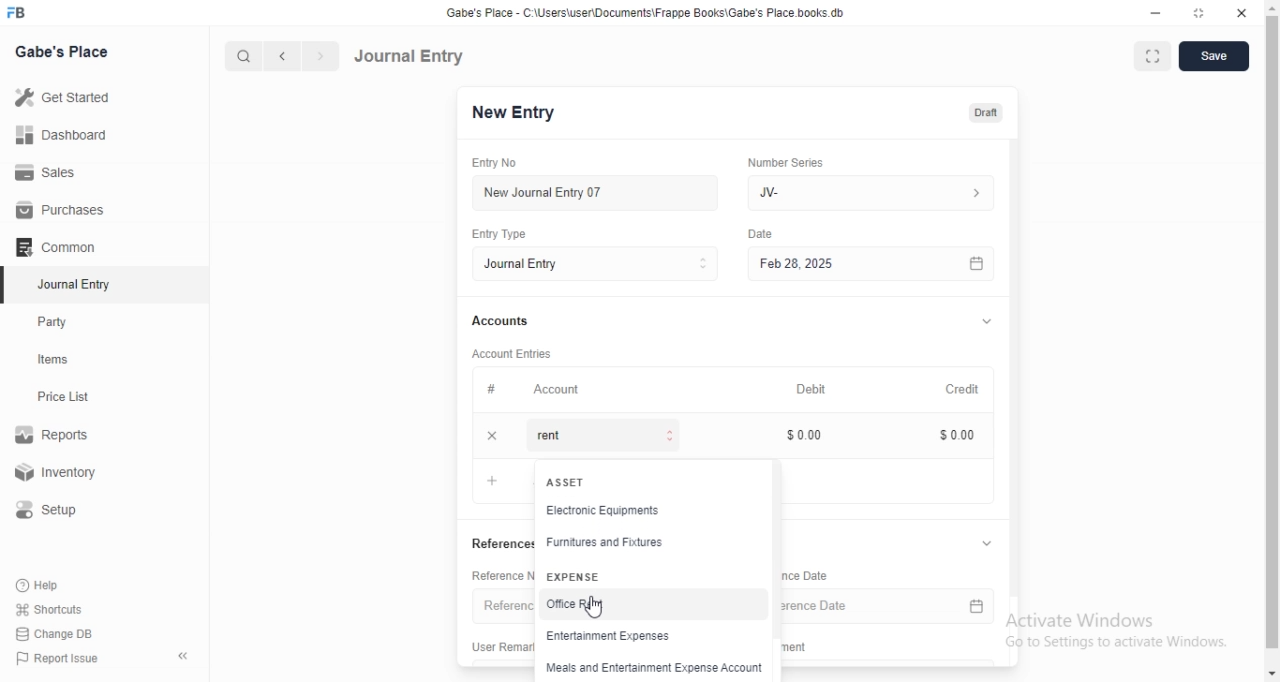 The height and width of the screenshot is (682, 1280). What do you see at coordinates (62, 397) in the screenshot?
I see `Price List` at bounding box center [62, 397].